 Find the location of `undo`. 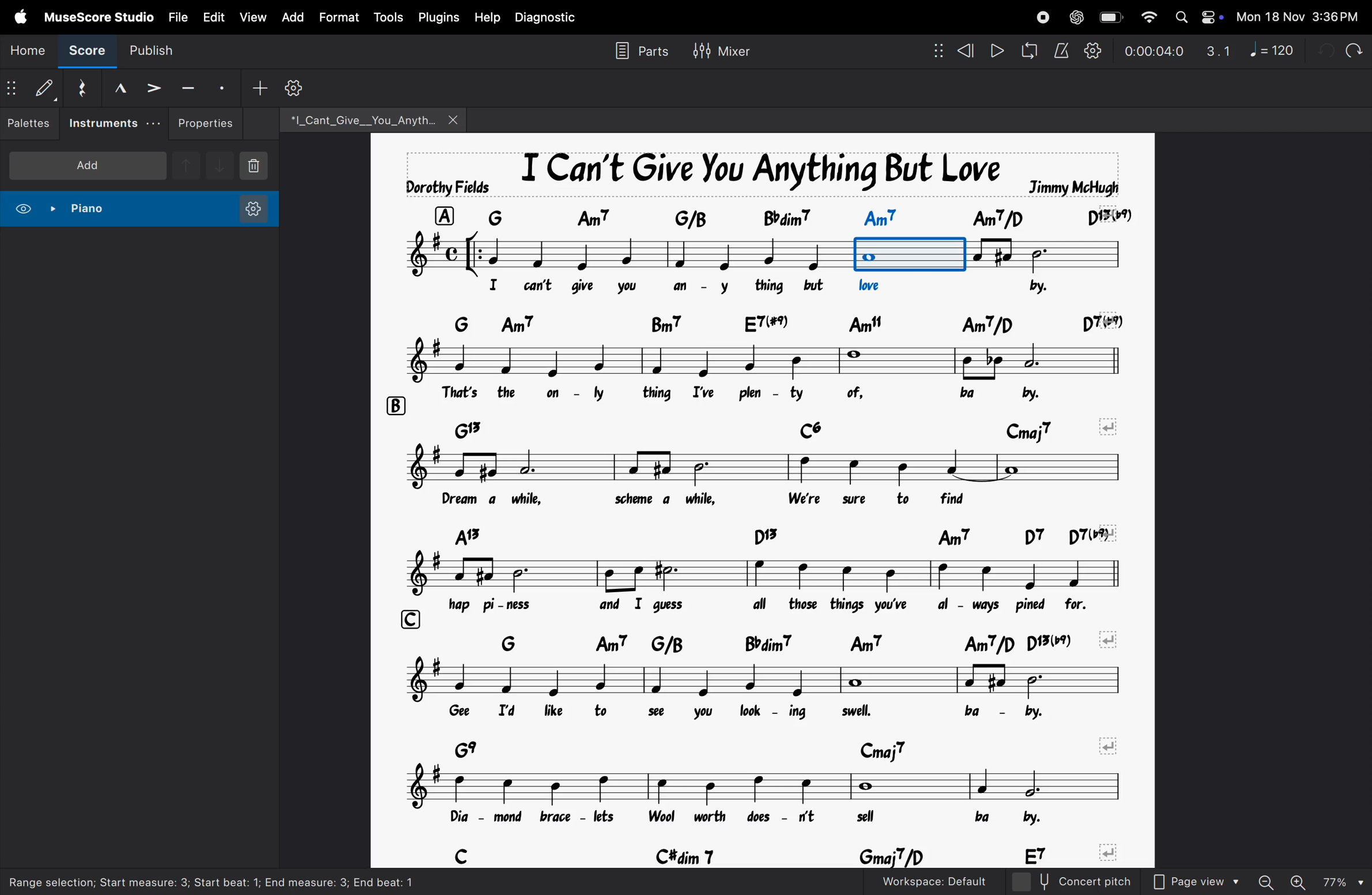

undo is located at coordinates (1317, 52).